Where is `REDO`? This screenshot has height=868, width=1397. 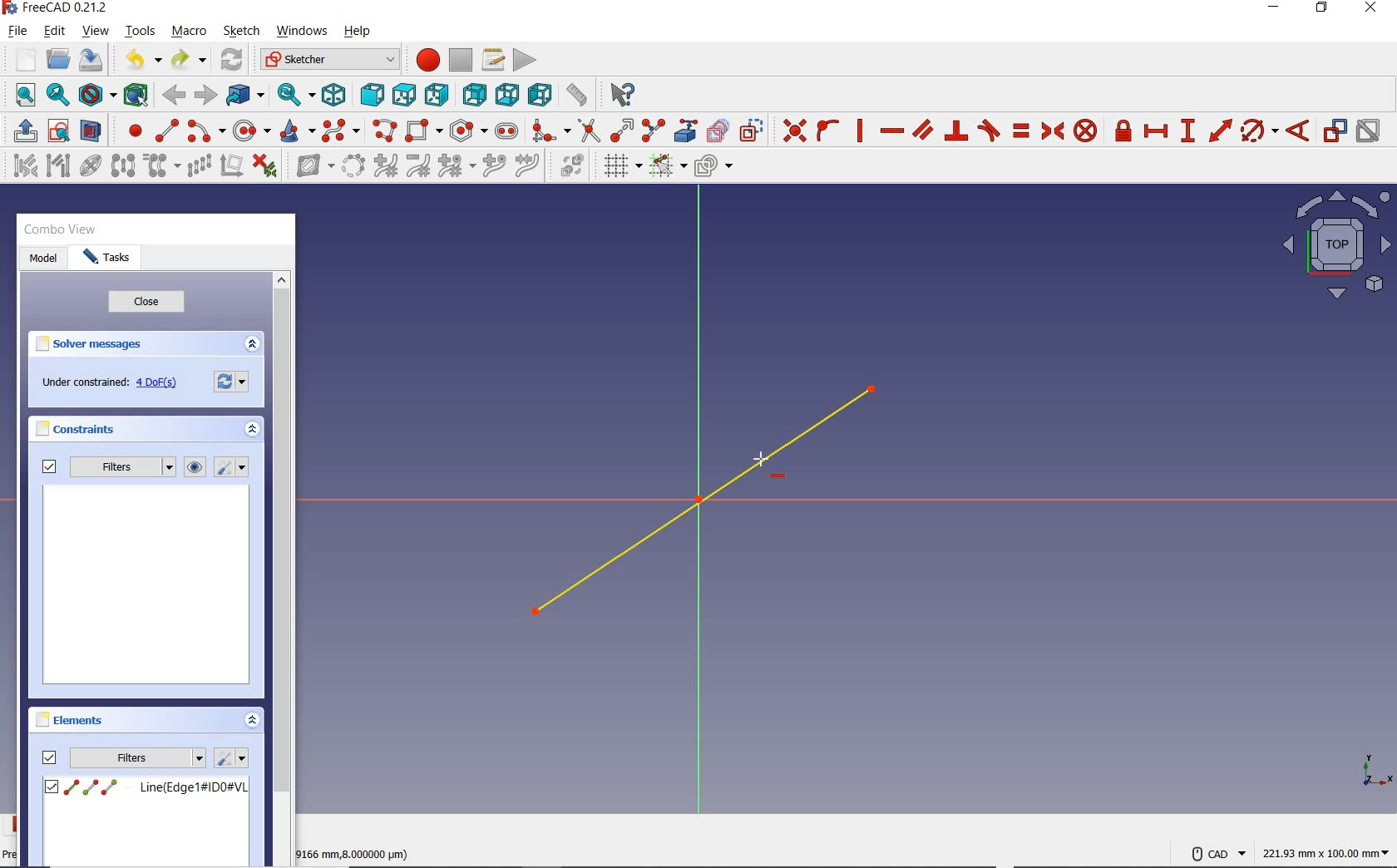 REDO is located at coordinates (188, 61).